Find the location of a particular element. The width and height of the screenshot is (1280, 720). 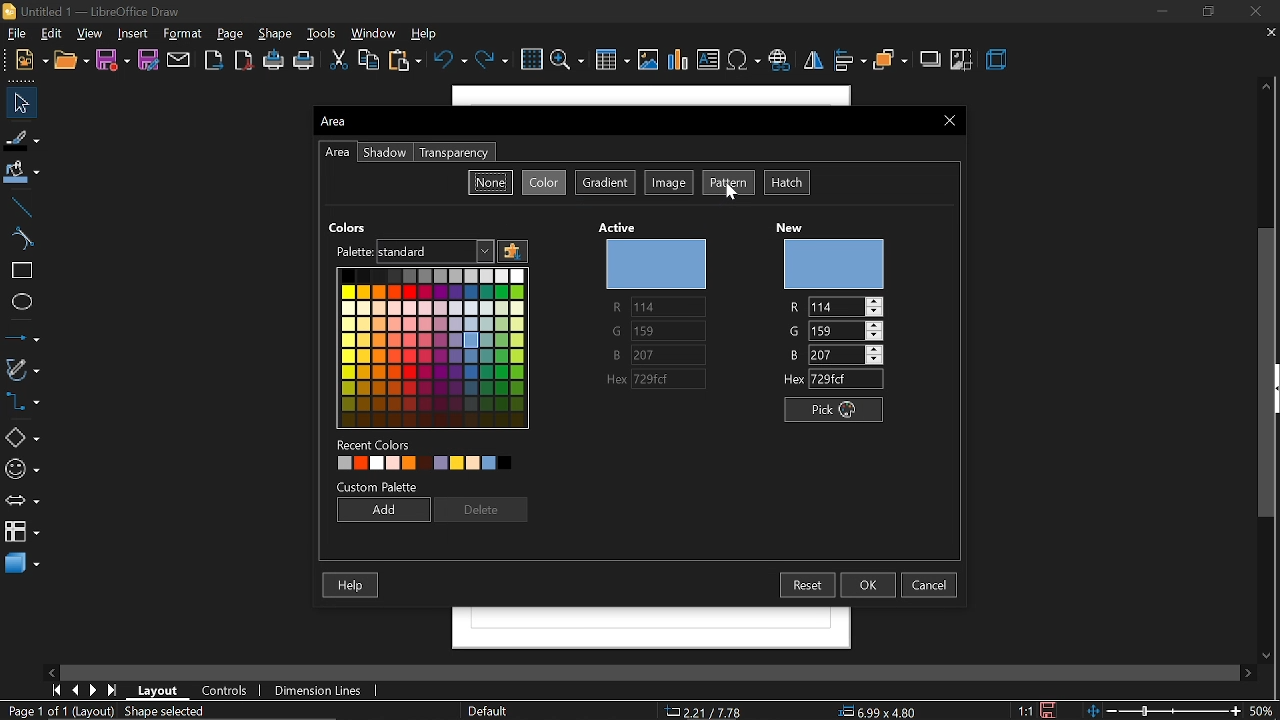

insert is located at coordinates (134, 33).